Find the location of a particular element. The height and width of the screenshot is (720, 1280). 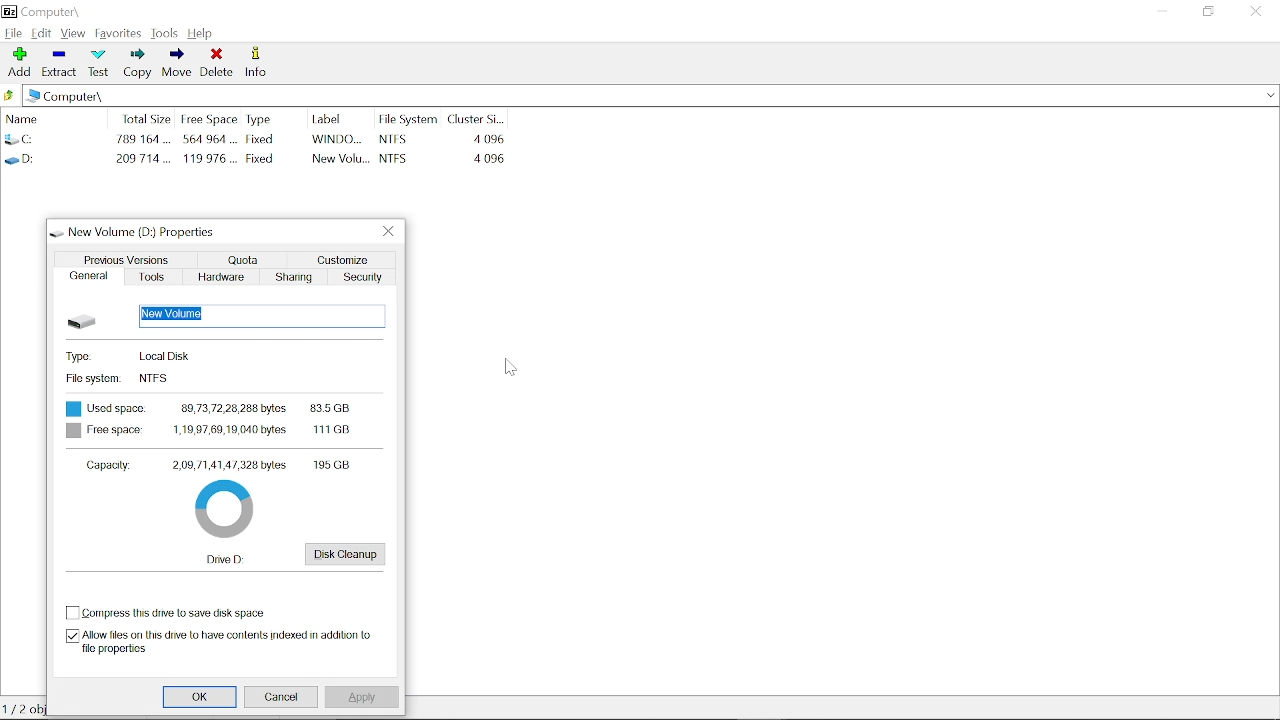

Type: Local Disk is located at coordinates (137, 354).